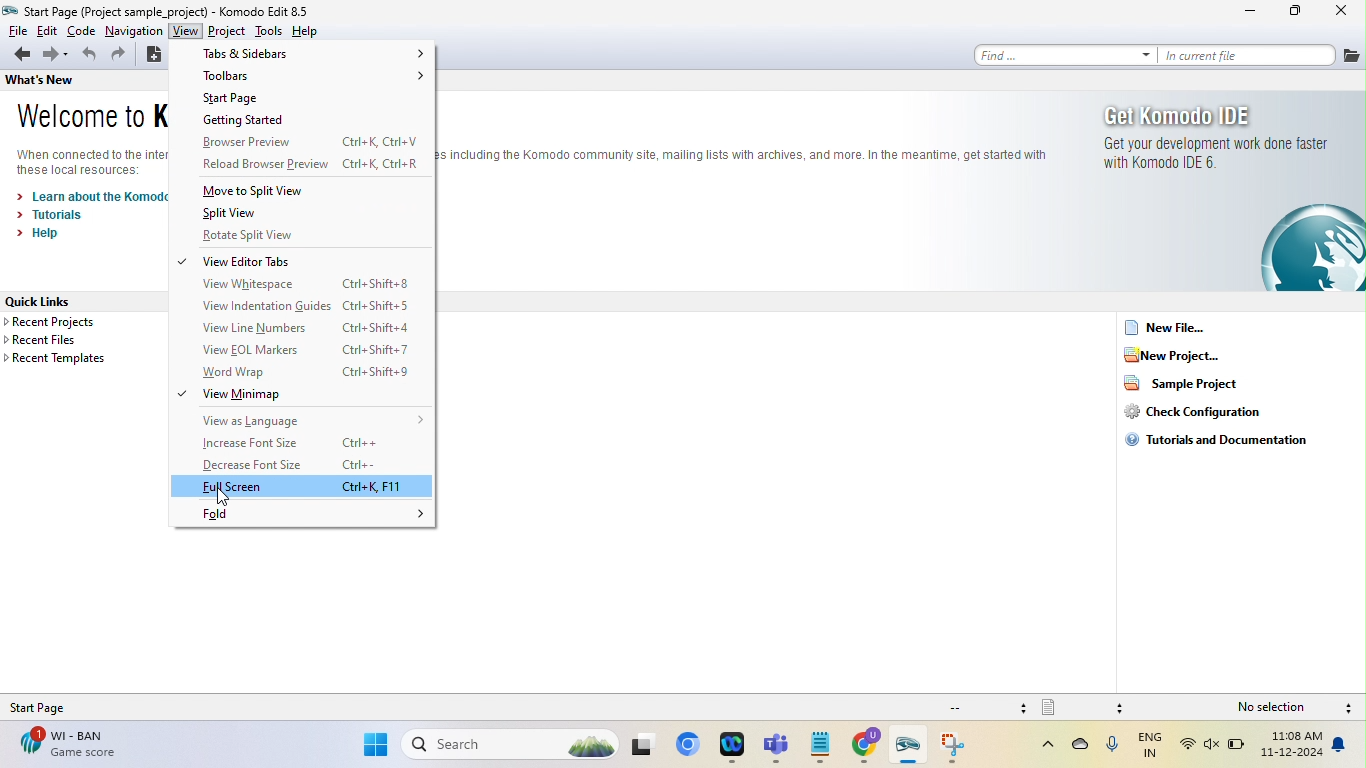 This screenshot has height=768, width=1366. Describe the element at coordinates (312, 77) in the screenshot. I see `toolbars` at that location.